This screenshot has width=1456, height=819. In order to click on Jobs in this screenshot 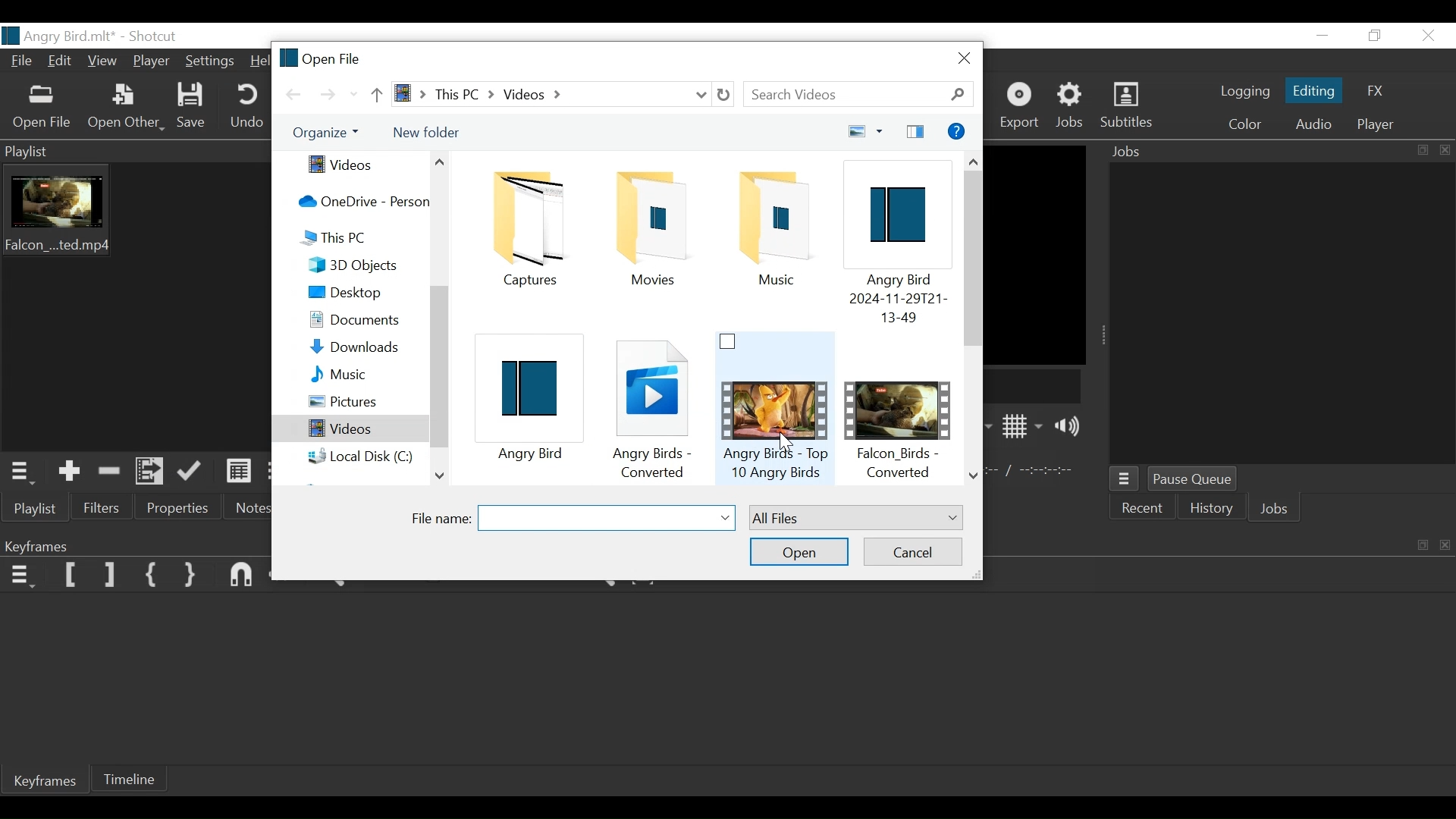, I will do `click(1070, 105)`.